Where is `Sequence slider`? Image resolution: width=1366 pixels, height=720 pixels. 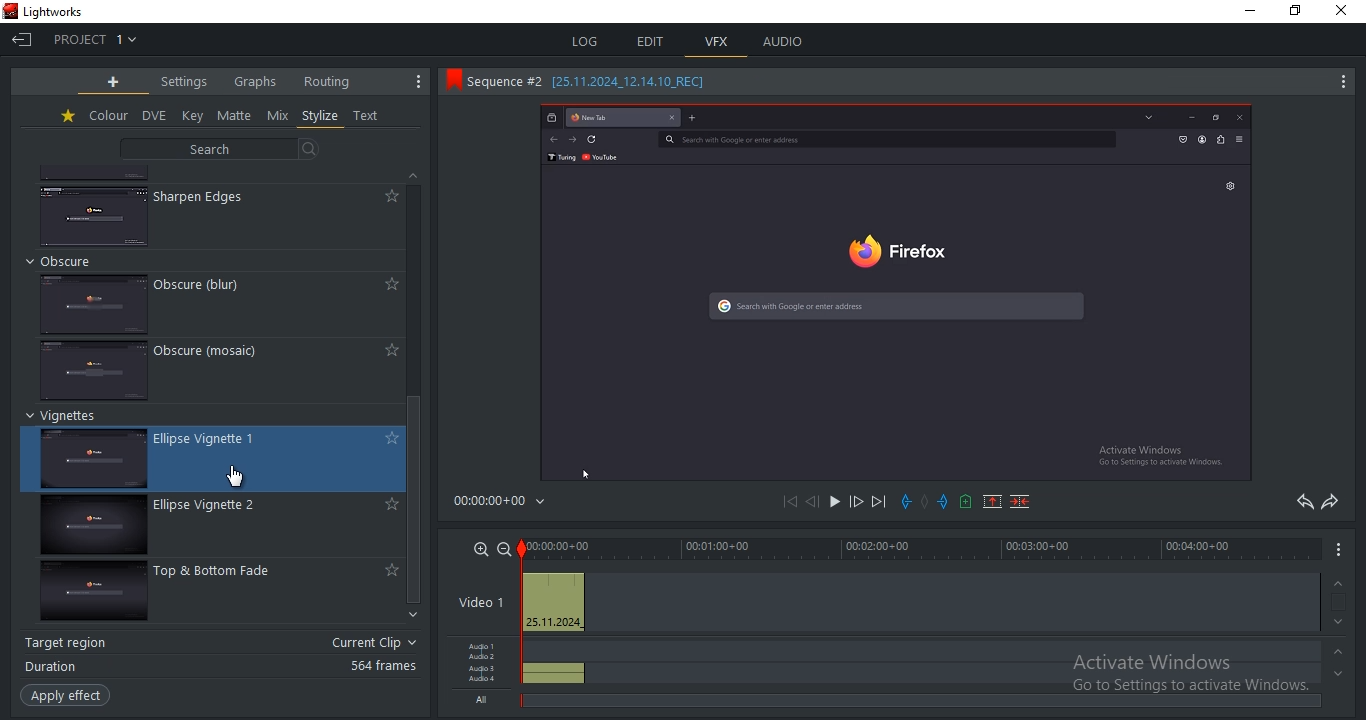 Sequence slider is located at coordinates (524, 608).